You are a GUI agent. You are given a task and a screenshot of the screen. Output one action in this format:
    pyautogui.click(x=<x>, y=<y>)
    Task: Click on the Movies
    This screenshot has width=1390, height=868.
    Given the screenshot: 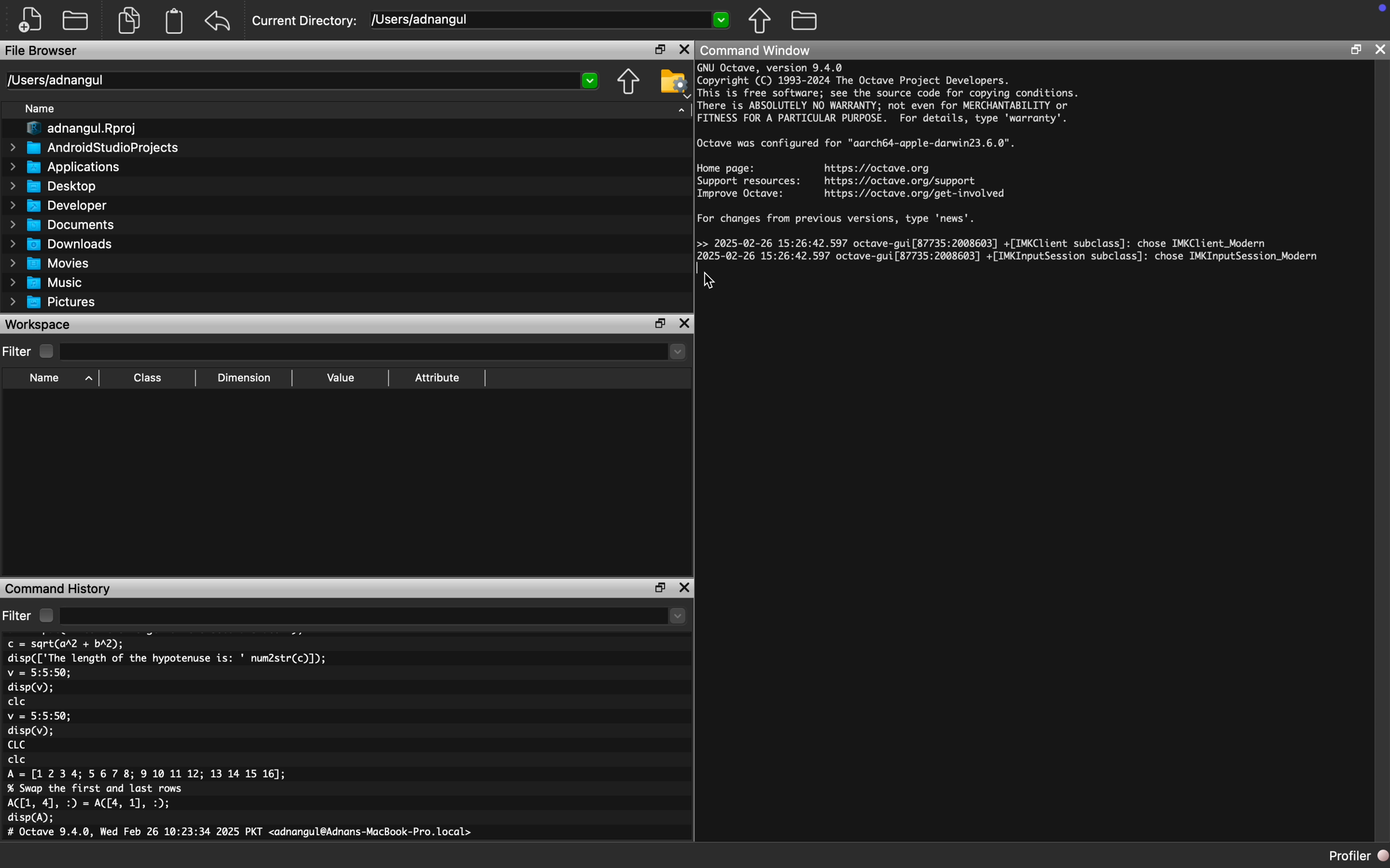 What is the action you would take?
    pyautogui.click(x=50, y=263)
    